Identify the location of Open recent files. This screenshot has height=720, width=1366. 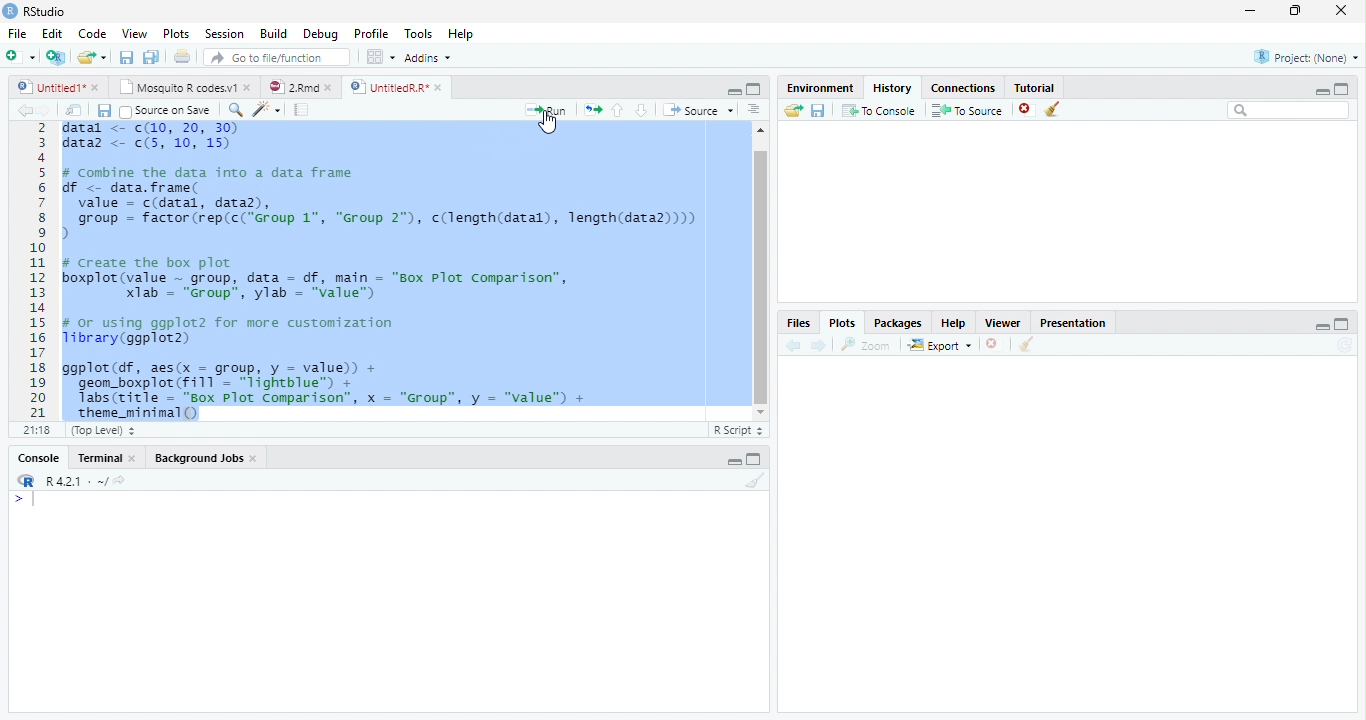
(103, 57).